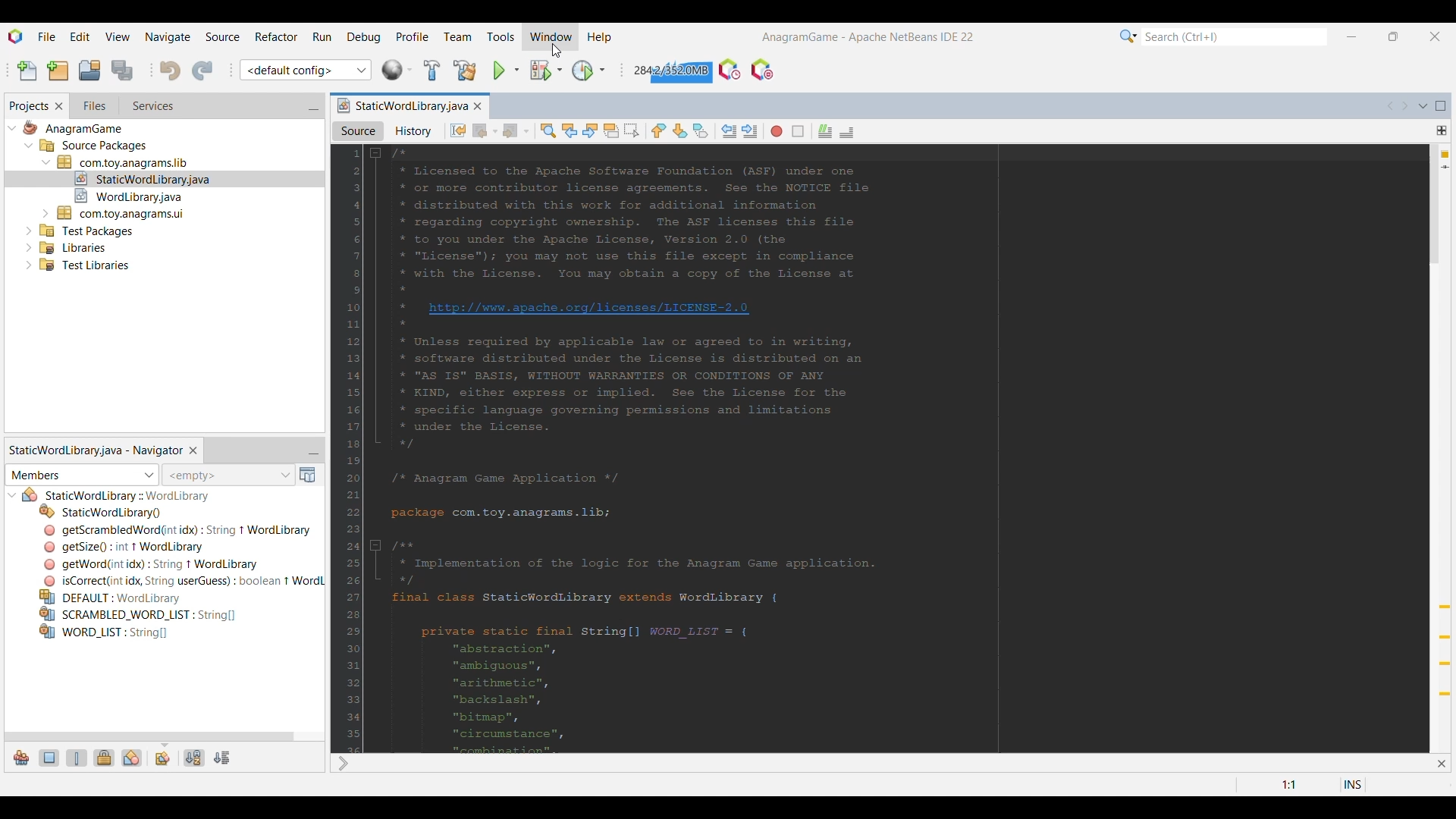 This screenshot has width=1456, height=819. I want to click on Profile UDE, so click(730, 70).